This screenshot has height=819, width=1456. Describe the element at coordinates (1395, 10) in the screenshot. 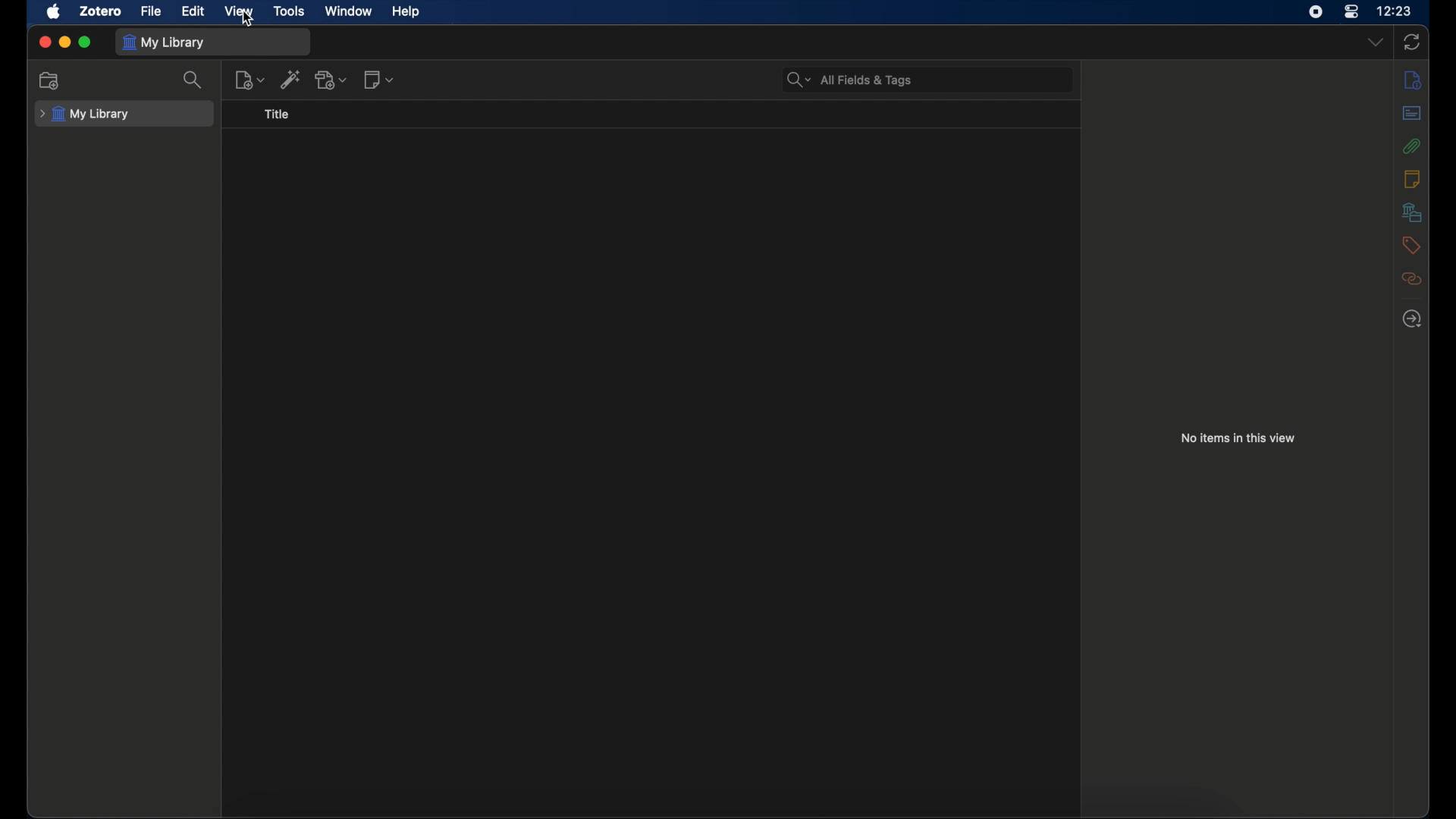

I see `time` at that location.